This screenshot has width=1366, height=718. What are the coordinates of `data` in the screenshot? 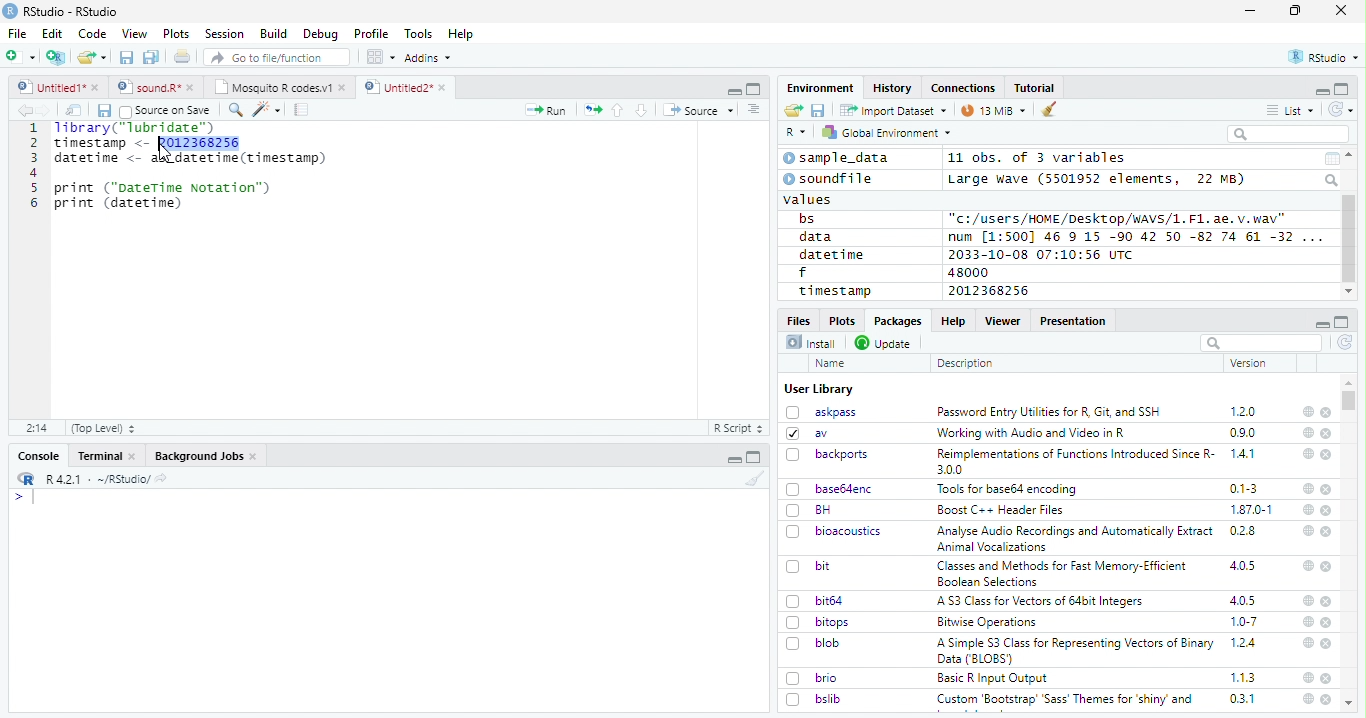 It's located at (819, 237).